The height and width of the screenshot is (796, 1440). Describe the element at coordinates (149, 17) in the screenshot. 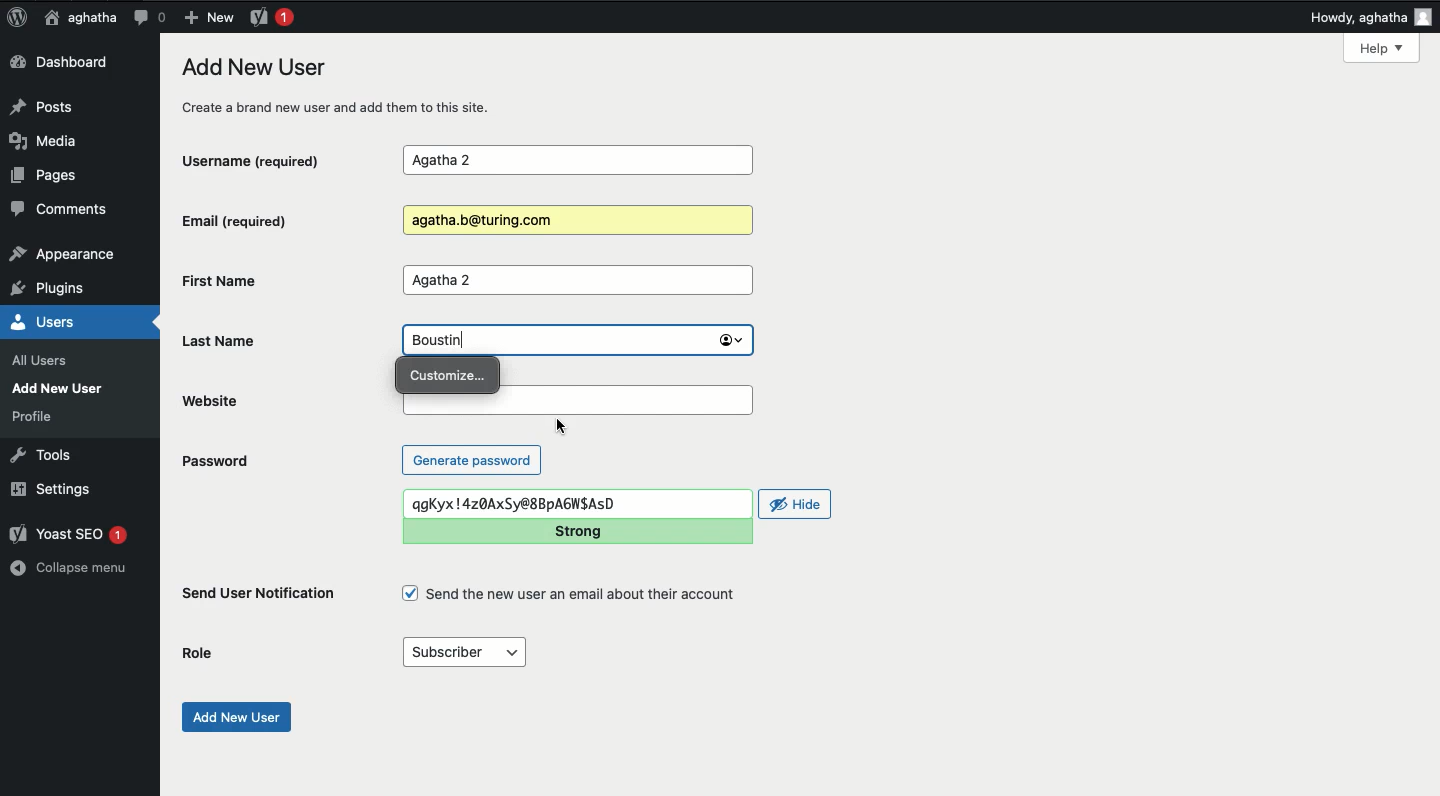

I see `Comment` at that location.